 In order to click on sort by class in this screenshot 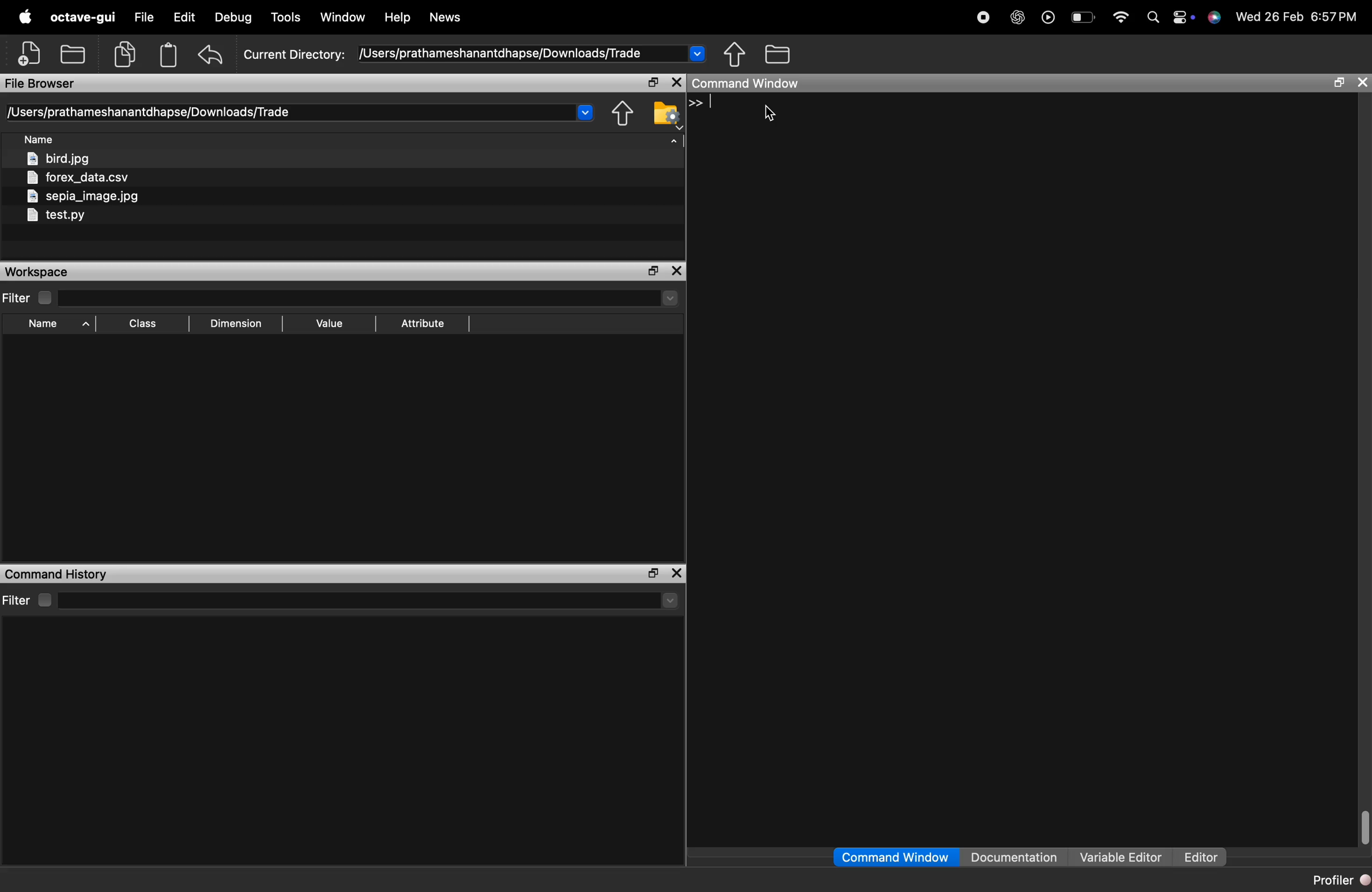, I will do `click(145, 324)`.